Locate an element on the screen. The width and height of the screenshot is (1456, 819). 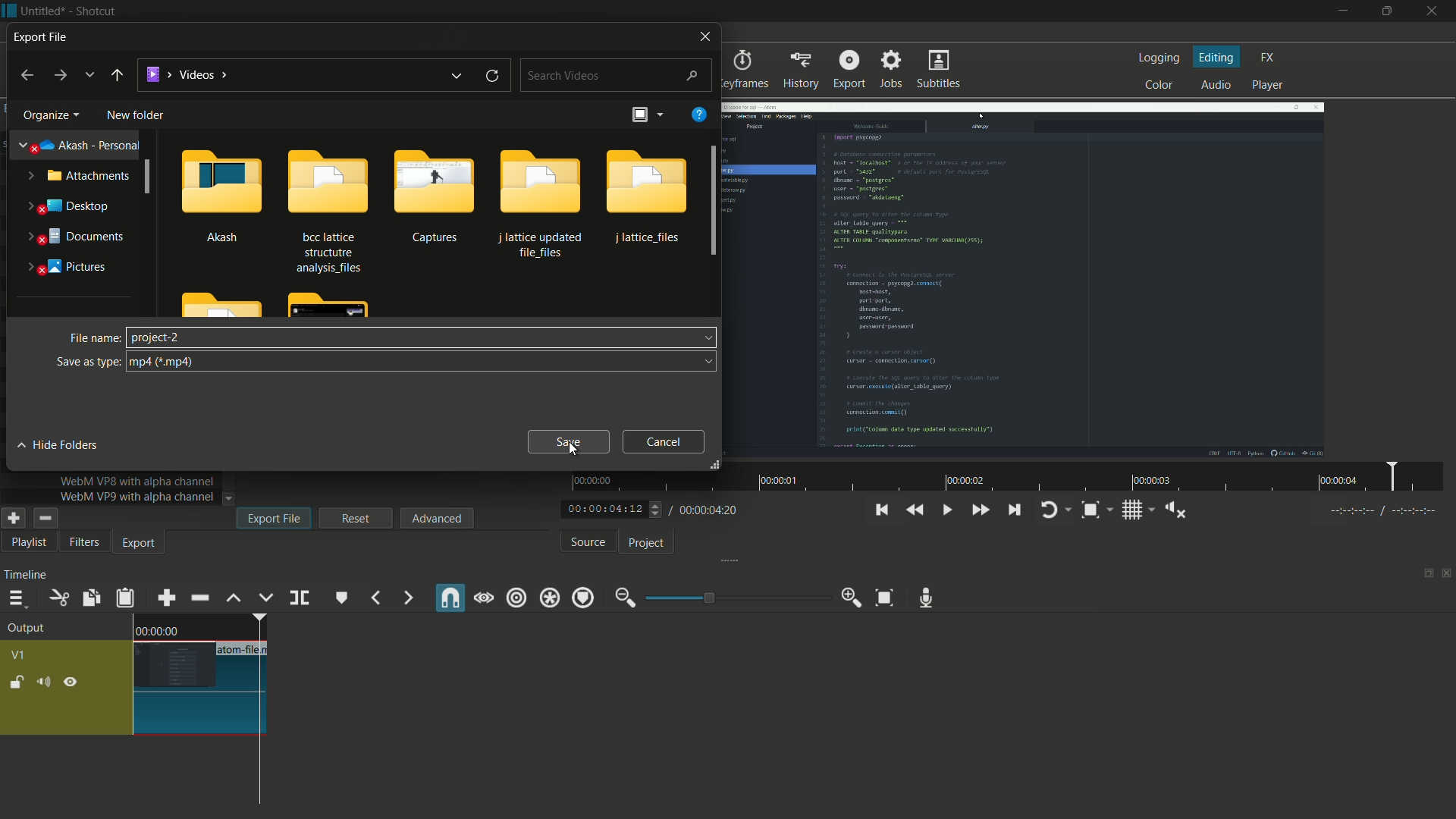
file name is located at coordinates (244, 650).